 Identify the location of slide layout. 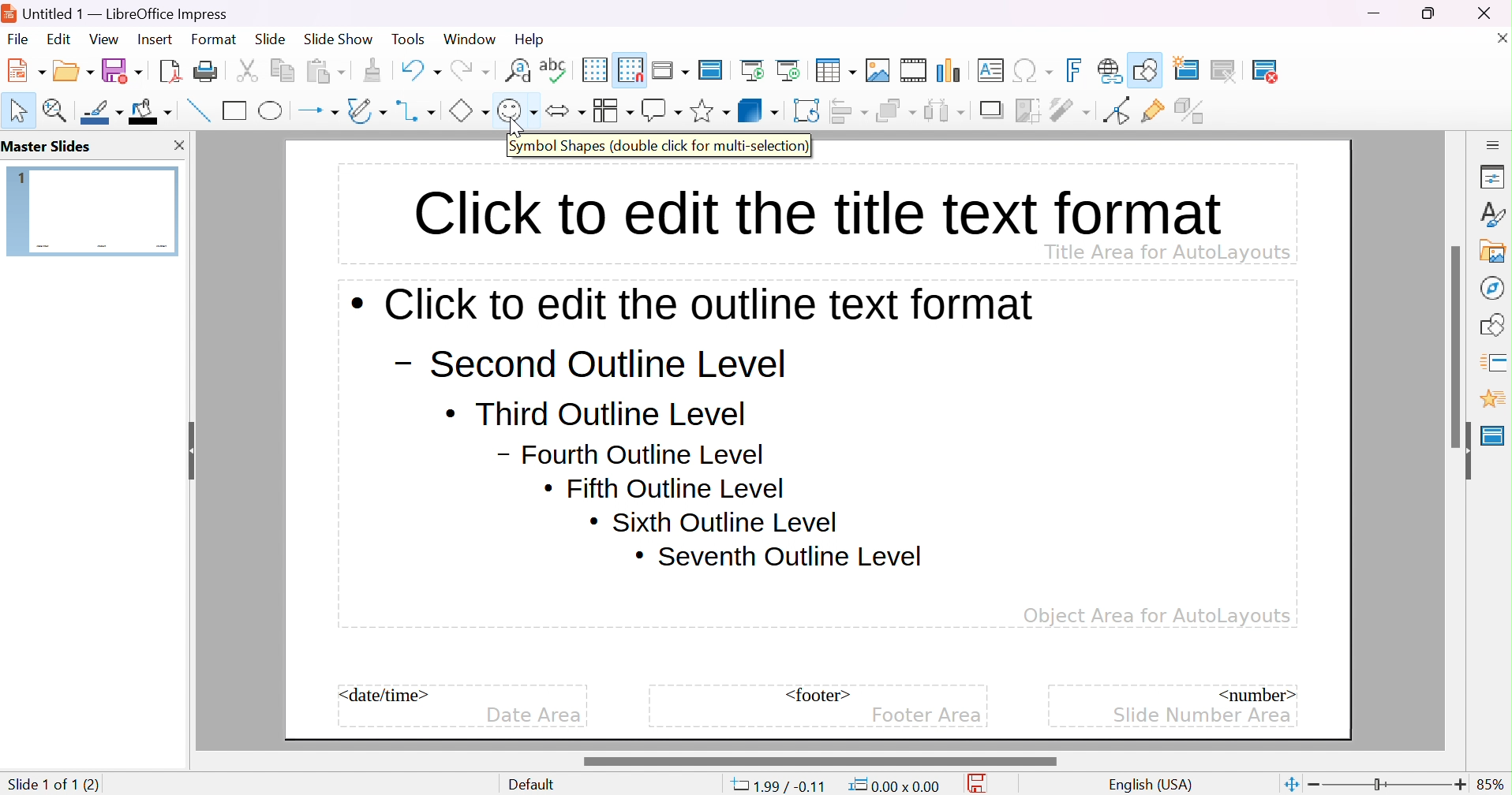
(1319, 70).